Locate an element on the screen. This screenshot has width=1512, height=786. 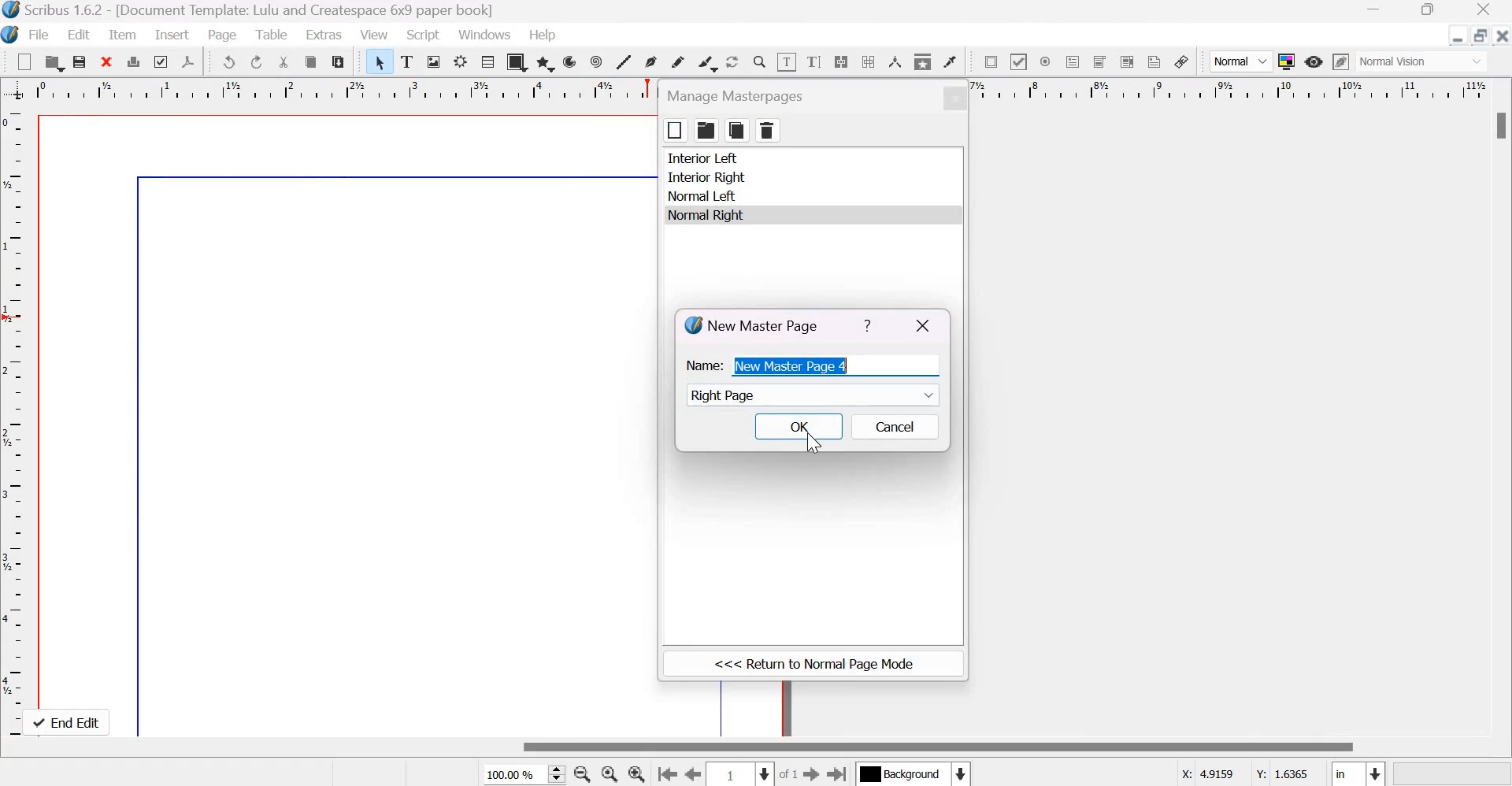
interior left is located at coordinates (707, 158).